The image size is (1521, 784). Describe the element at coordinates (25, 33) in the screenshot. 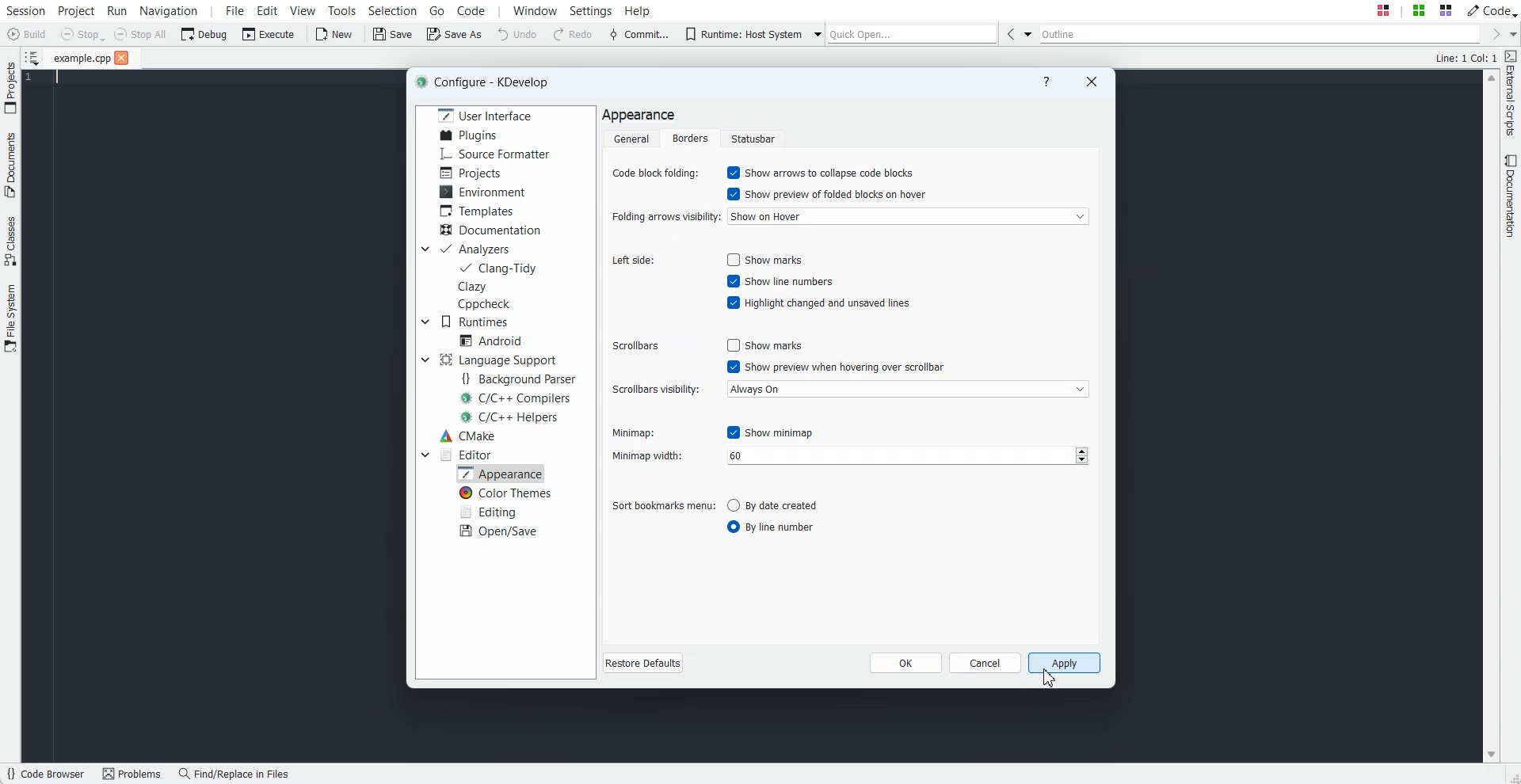

I see `Build` at that location.